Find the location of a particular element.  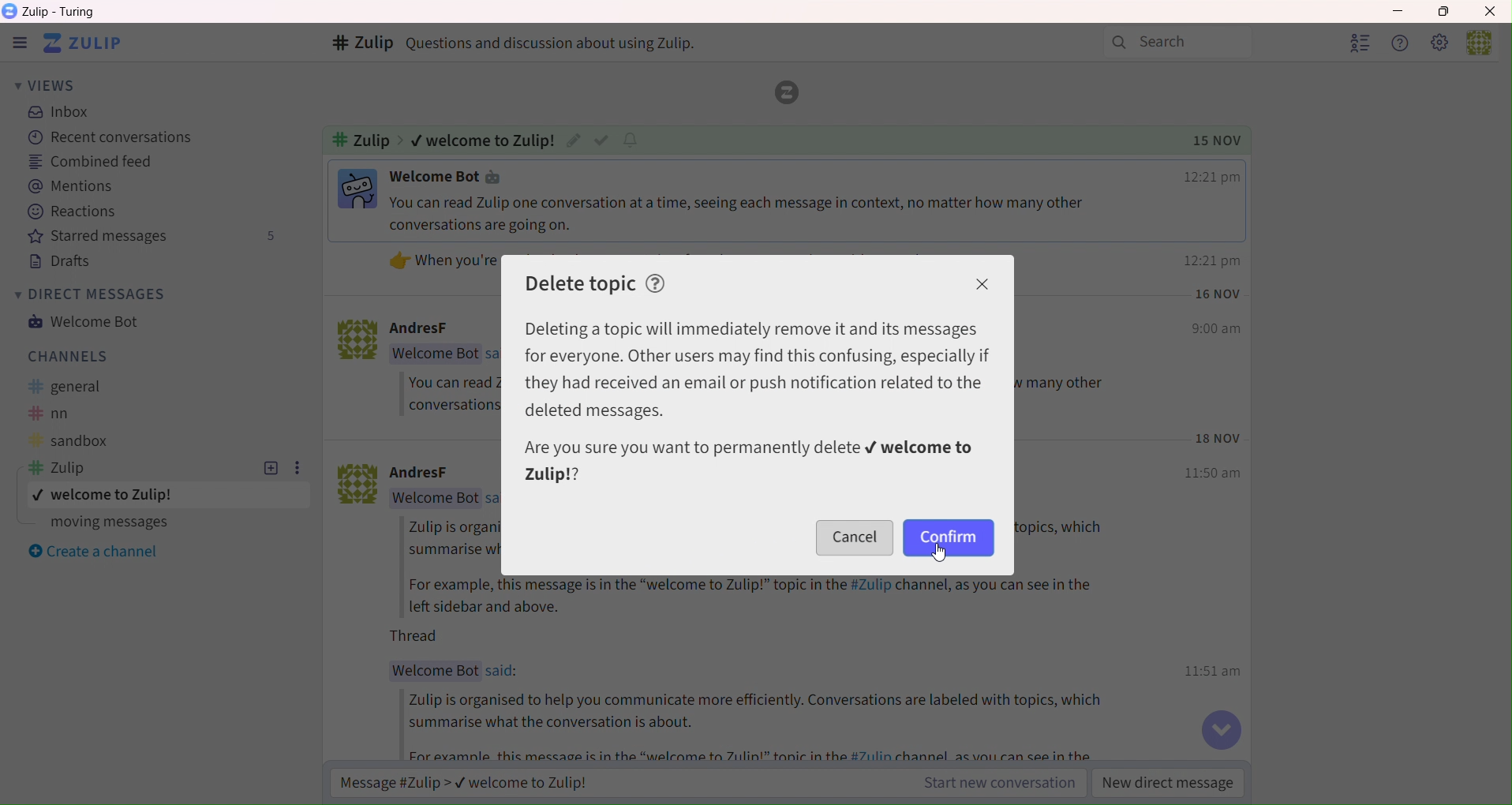

Text is located at coordinates (436, 473).